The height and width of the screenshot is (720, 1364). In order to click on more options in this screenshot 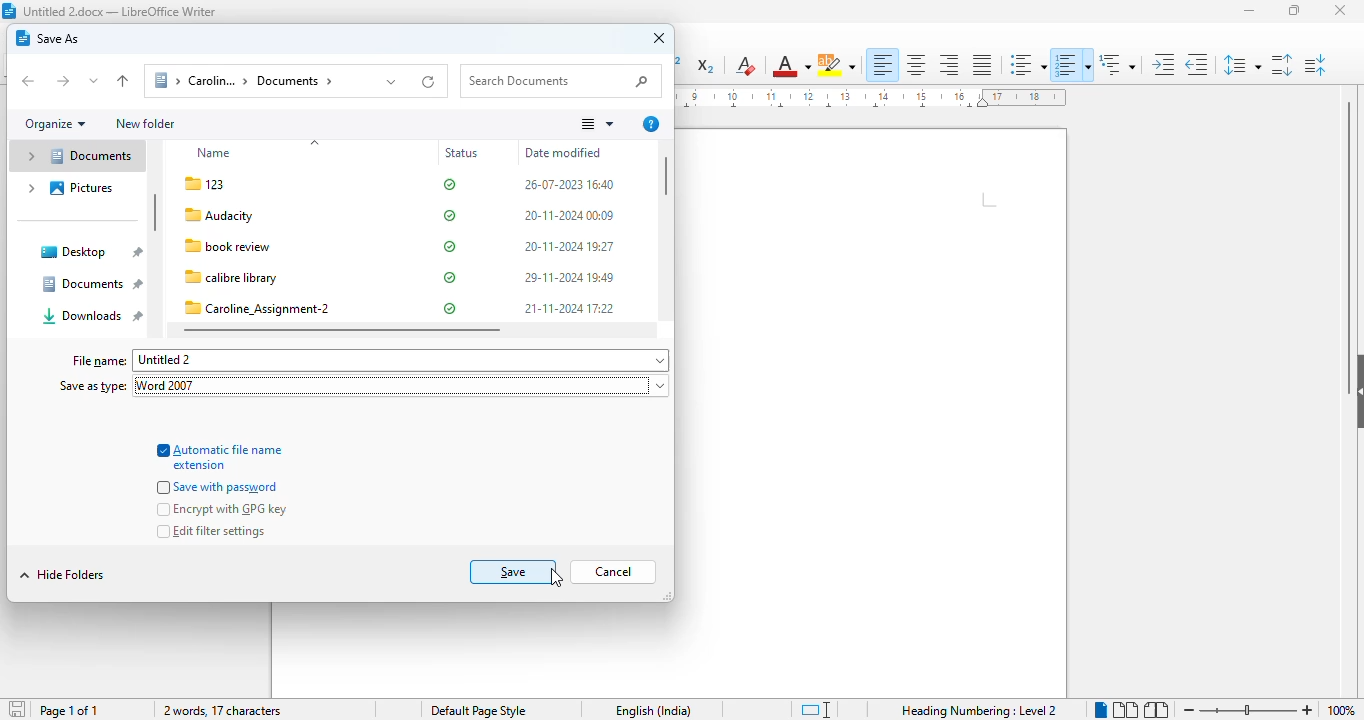, I will do `click(651, 124)`.